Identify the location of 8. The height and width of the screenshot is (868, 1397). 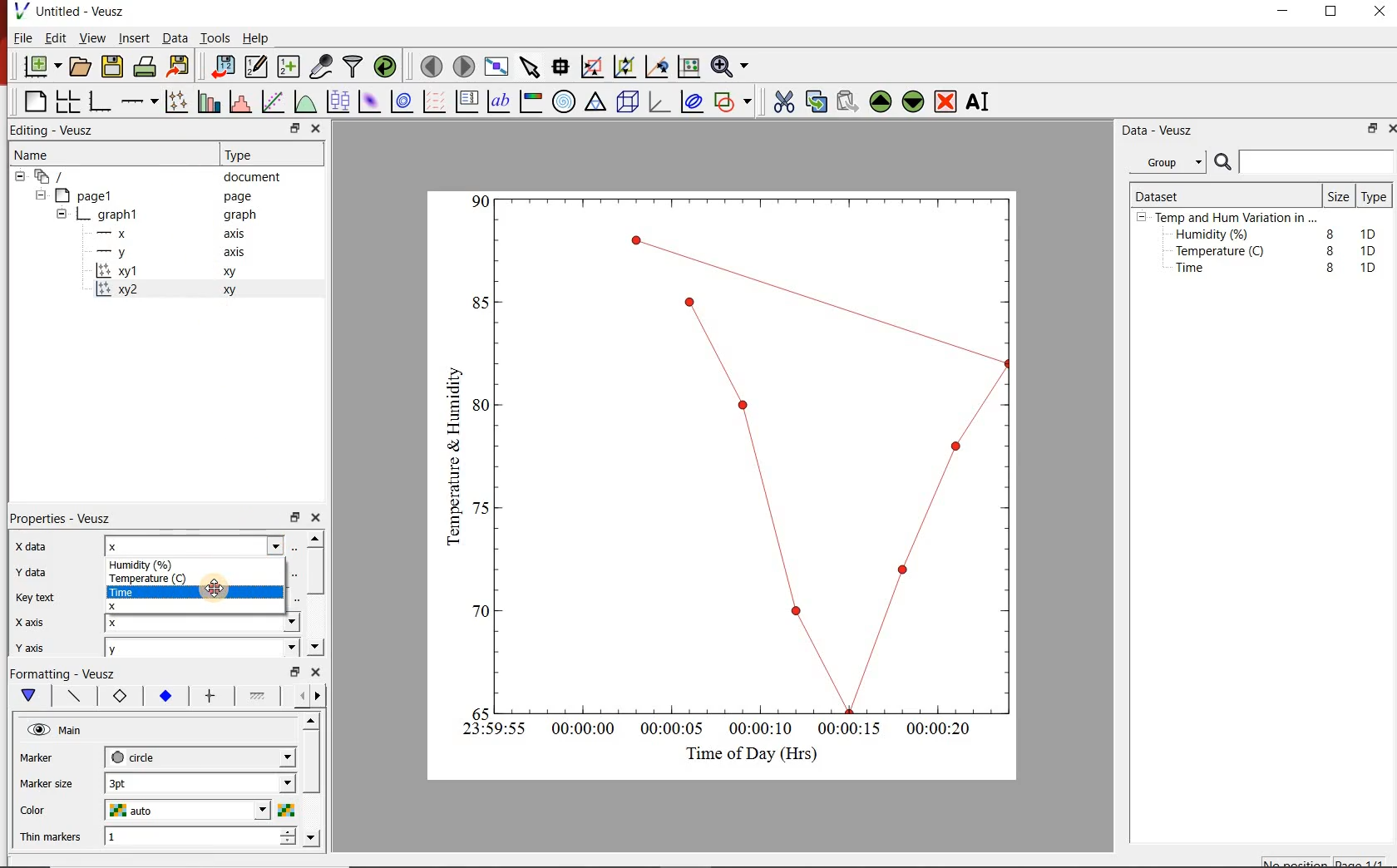
(1330, 268).